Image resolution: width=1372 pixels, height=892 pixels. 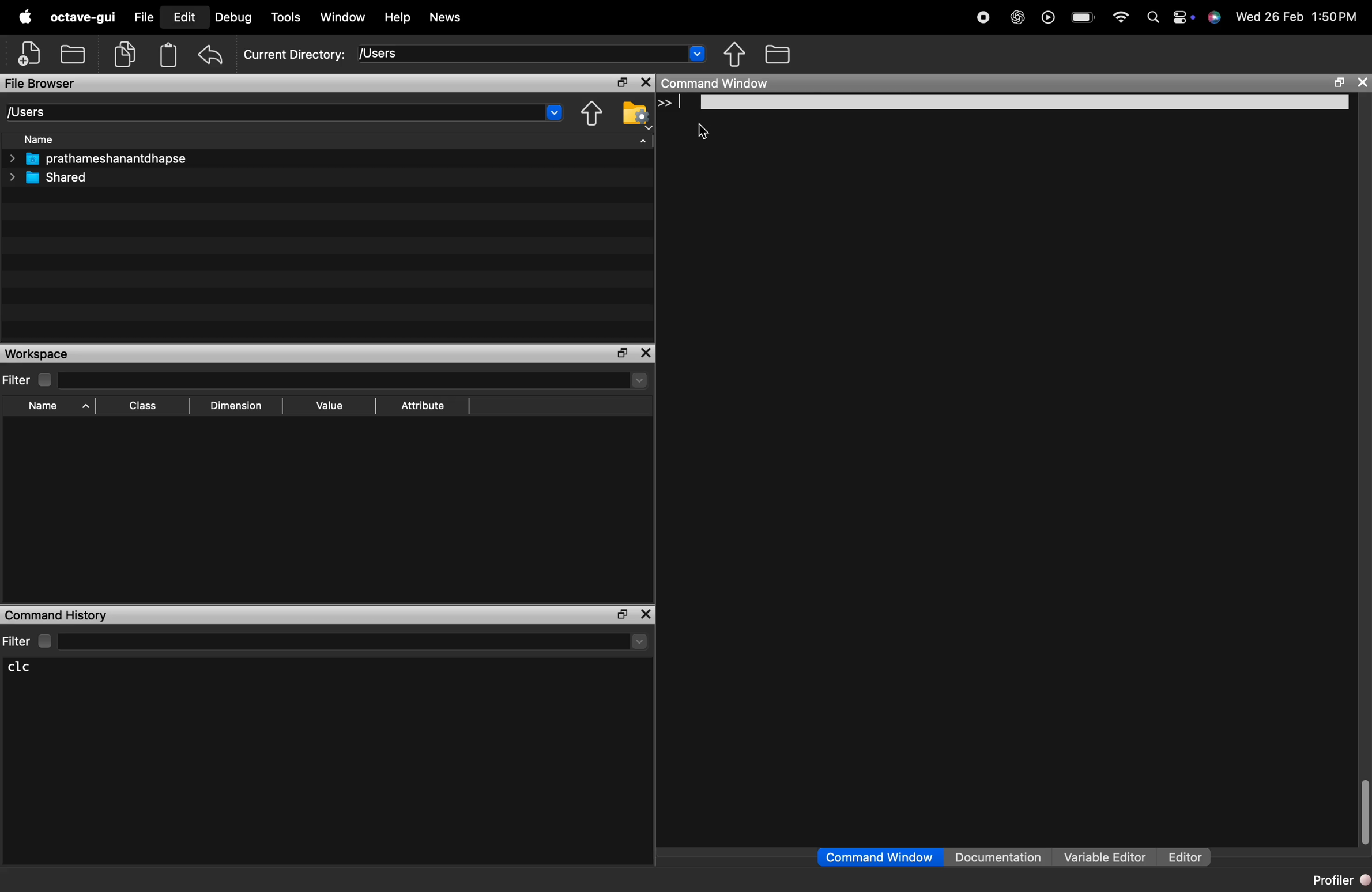 What do you see at coordinates (1106, 857) in the screenshot?
I see `Variable Editor` at bounding box center [1106, 857].